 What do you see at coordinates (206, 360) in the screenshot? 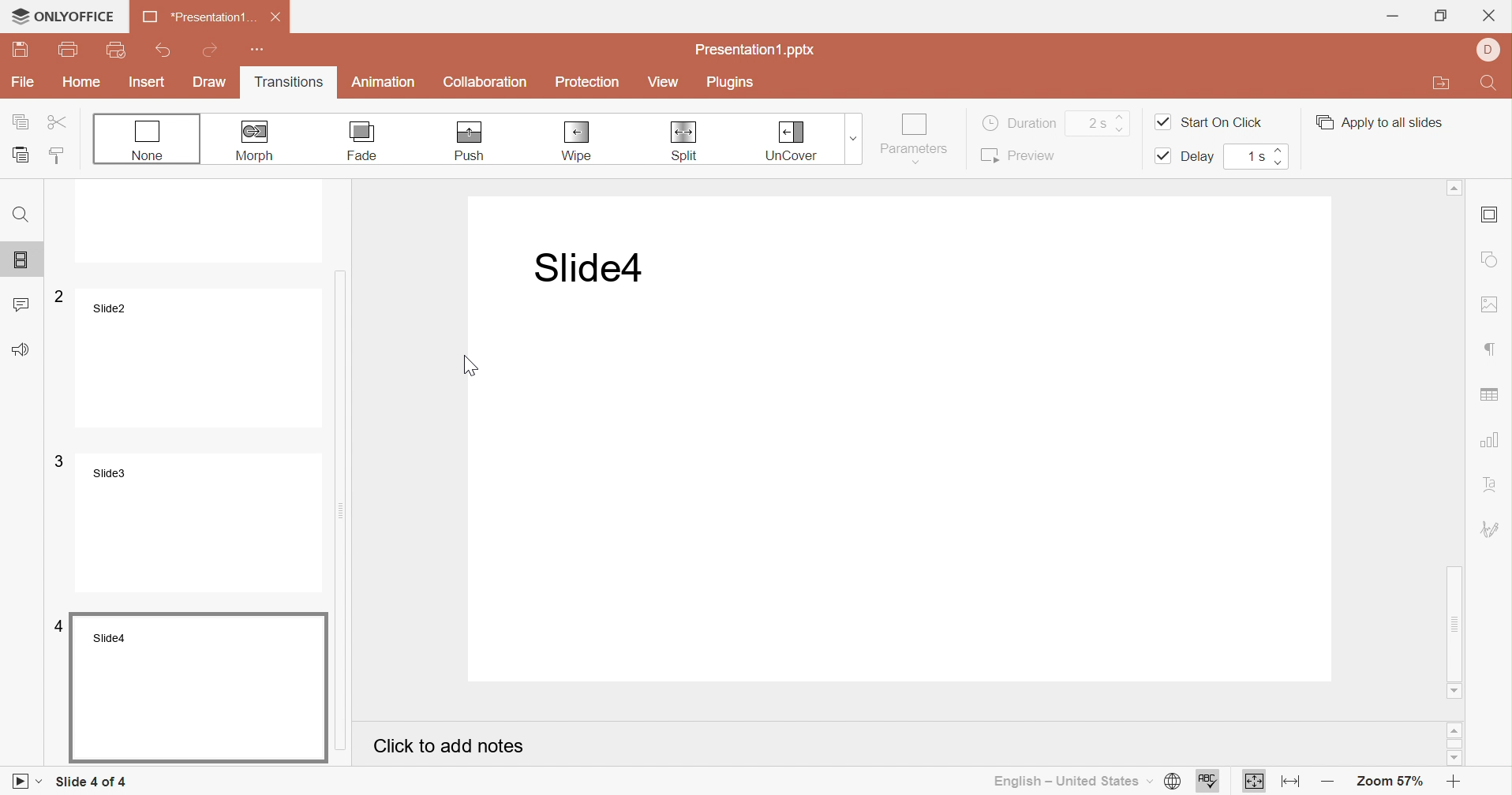
I see `Slide2` at bounding box center [206, 360].